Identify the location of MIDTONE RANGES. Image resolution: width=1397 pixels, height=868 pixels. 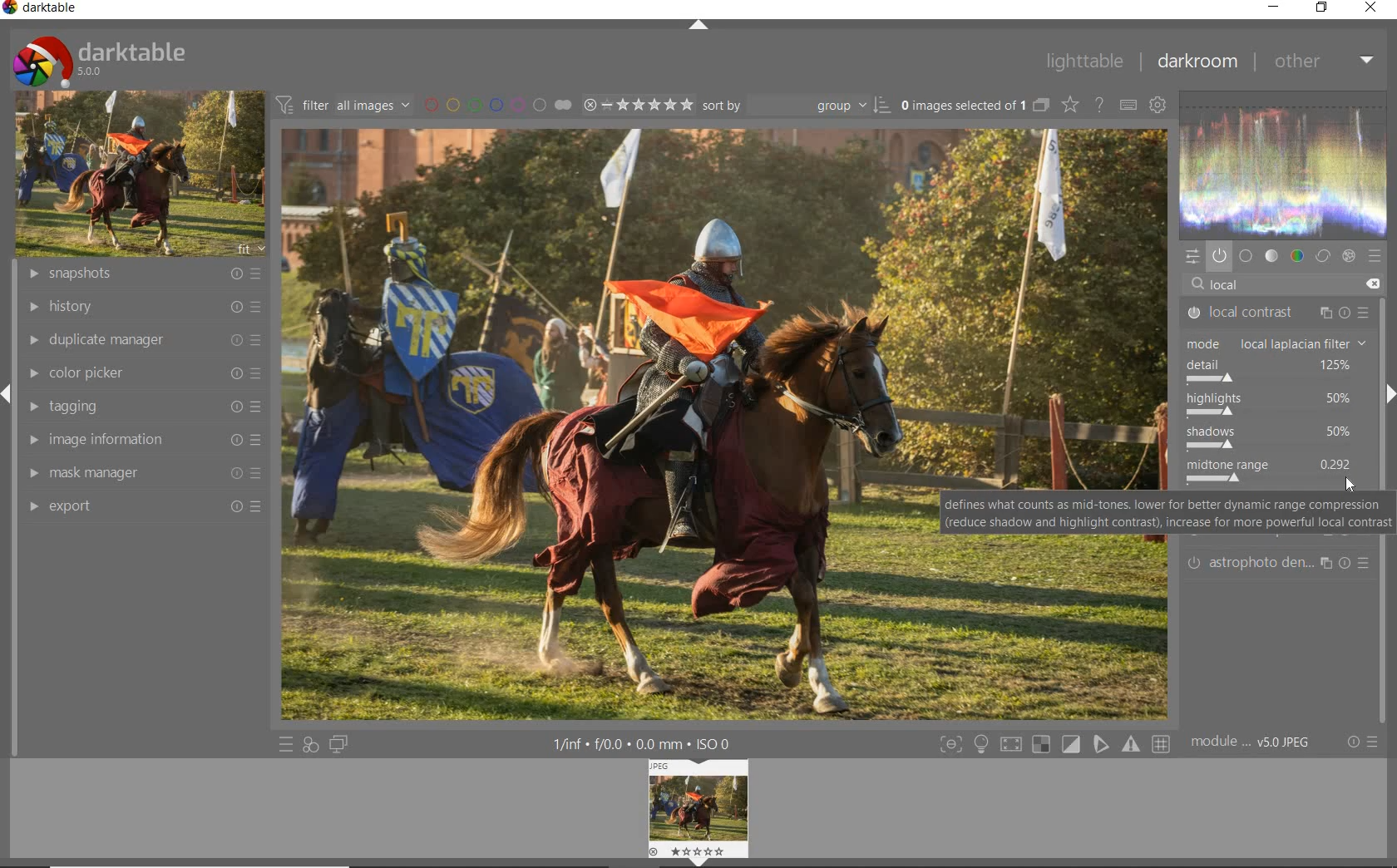
(1273, 472).